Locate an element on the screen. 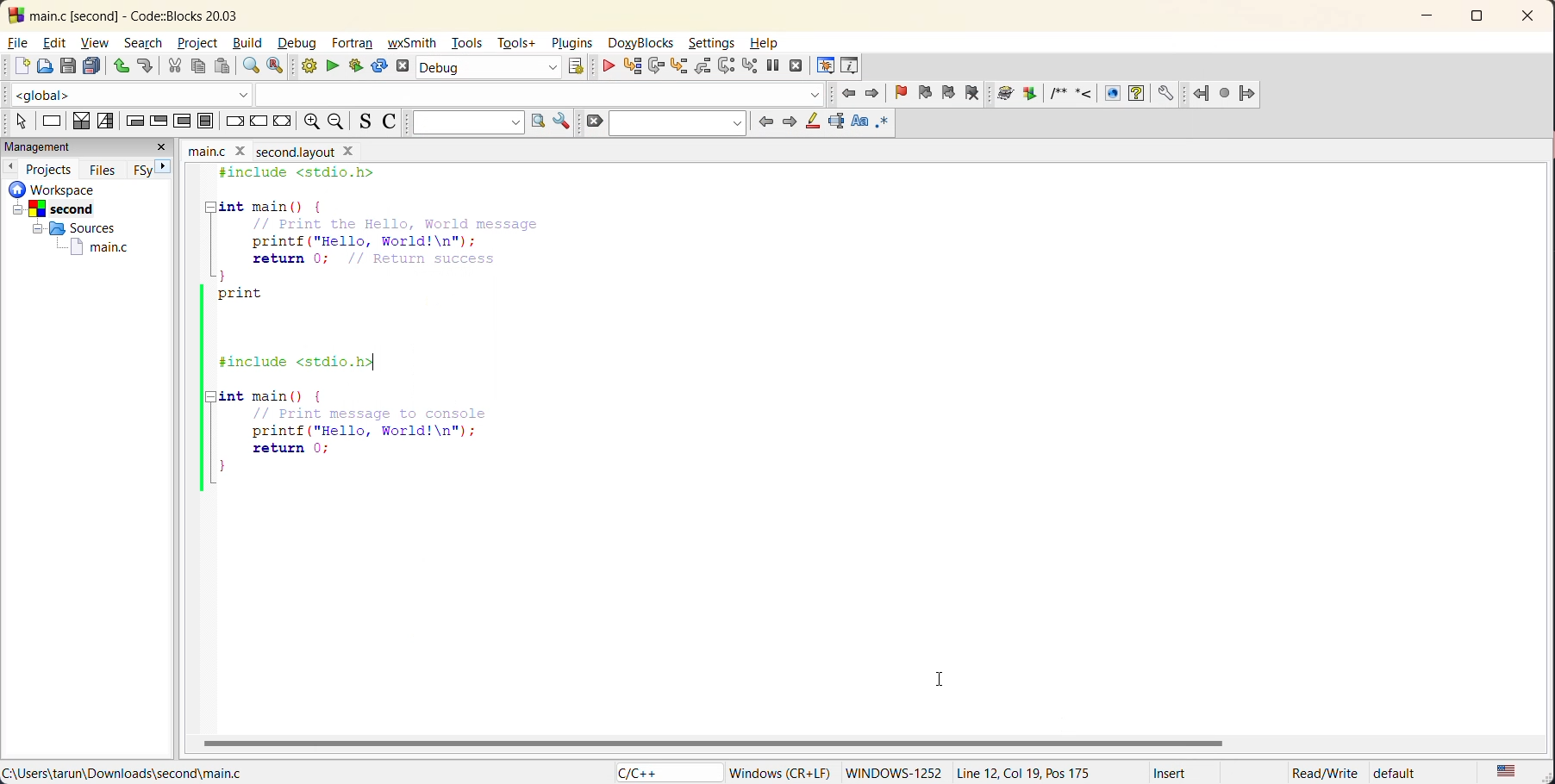 This screenshot has width=1555, height=784. zoom in is located at coordinates (311, 122).